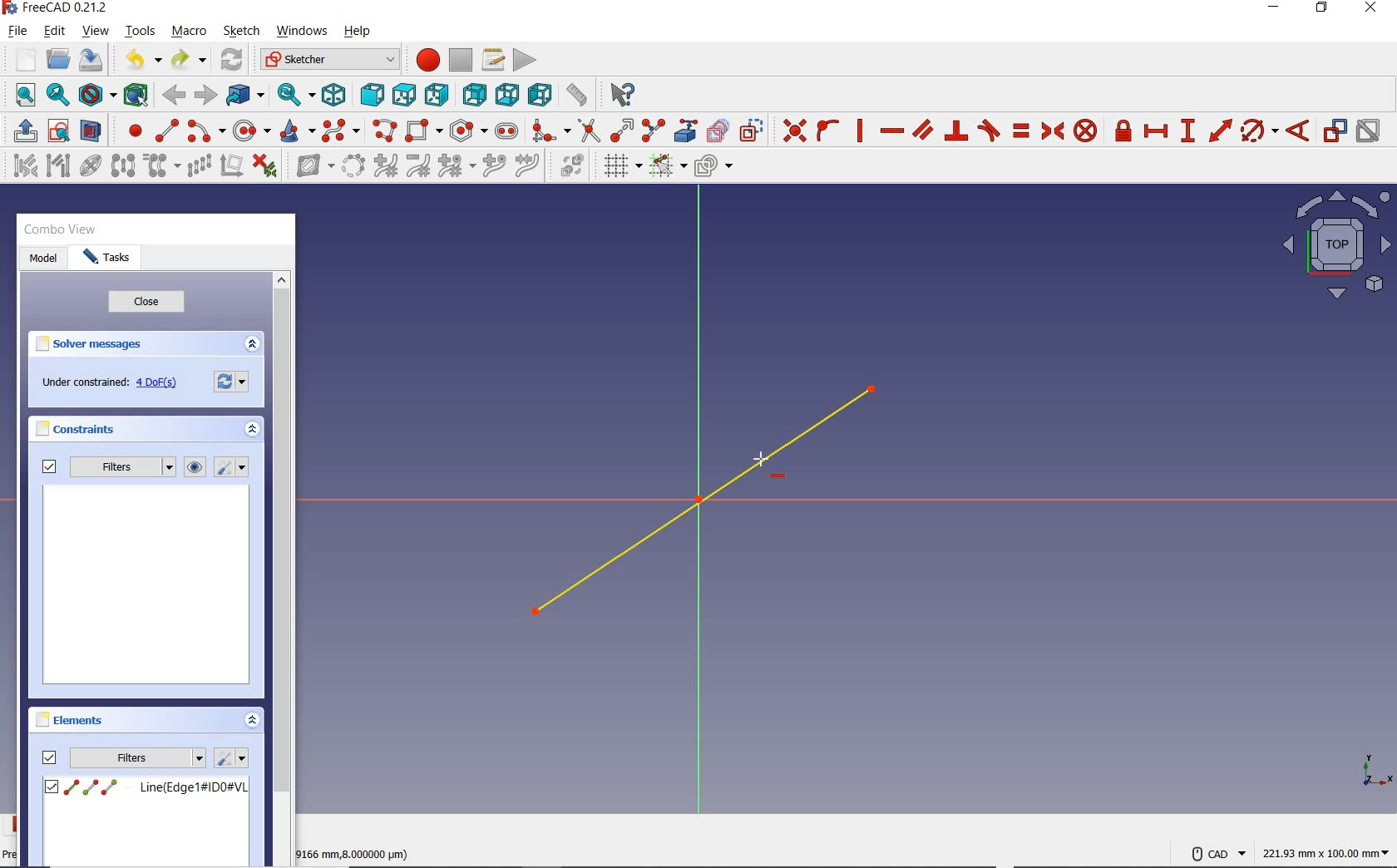 The height and width of the screenshot is (868, 1397). I want to click on CREATE EXTERNAL GEOMETRY, so click(688, 129).